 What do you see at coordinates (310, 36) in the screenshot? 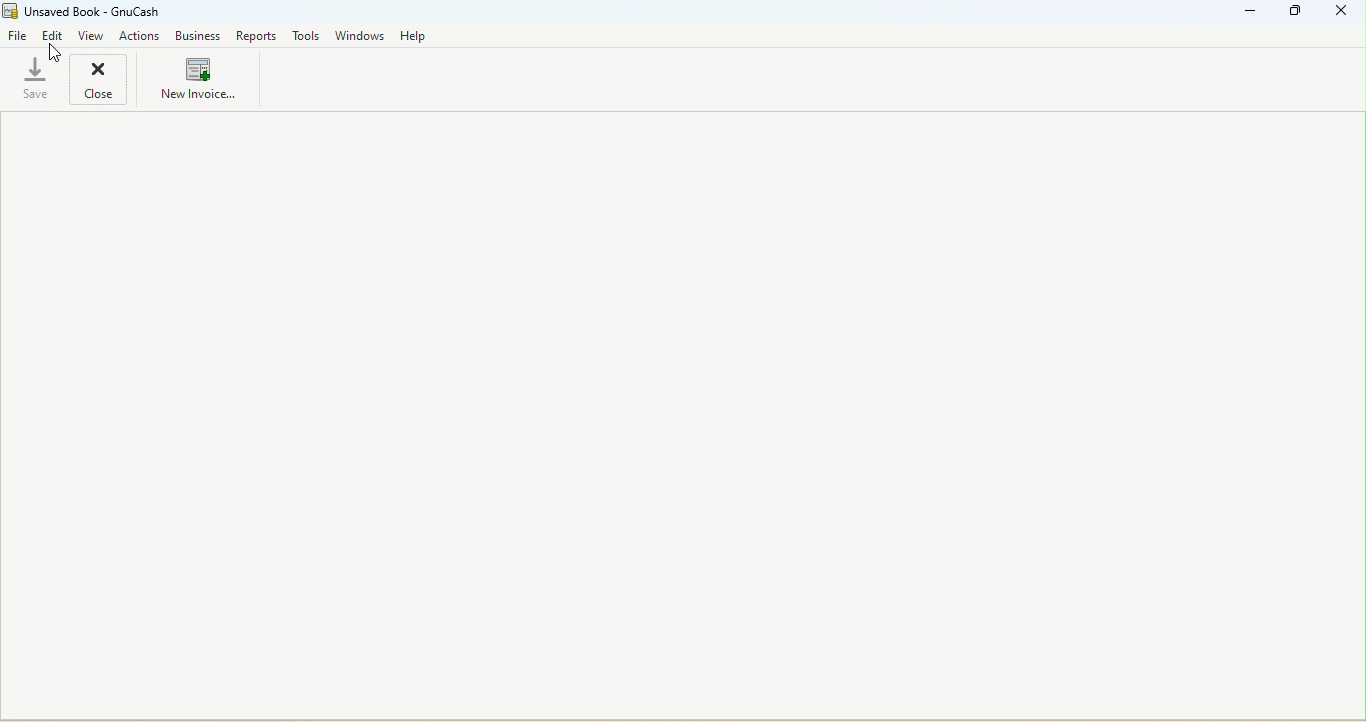
I see `Tools` at bounding box center [310, 36].